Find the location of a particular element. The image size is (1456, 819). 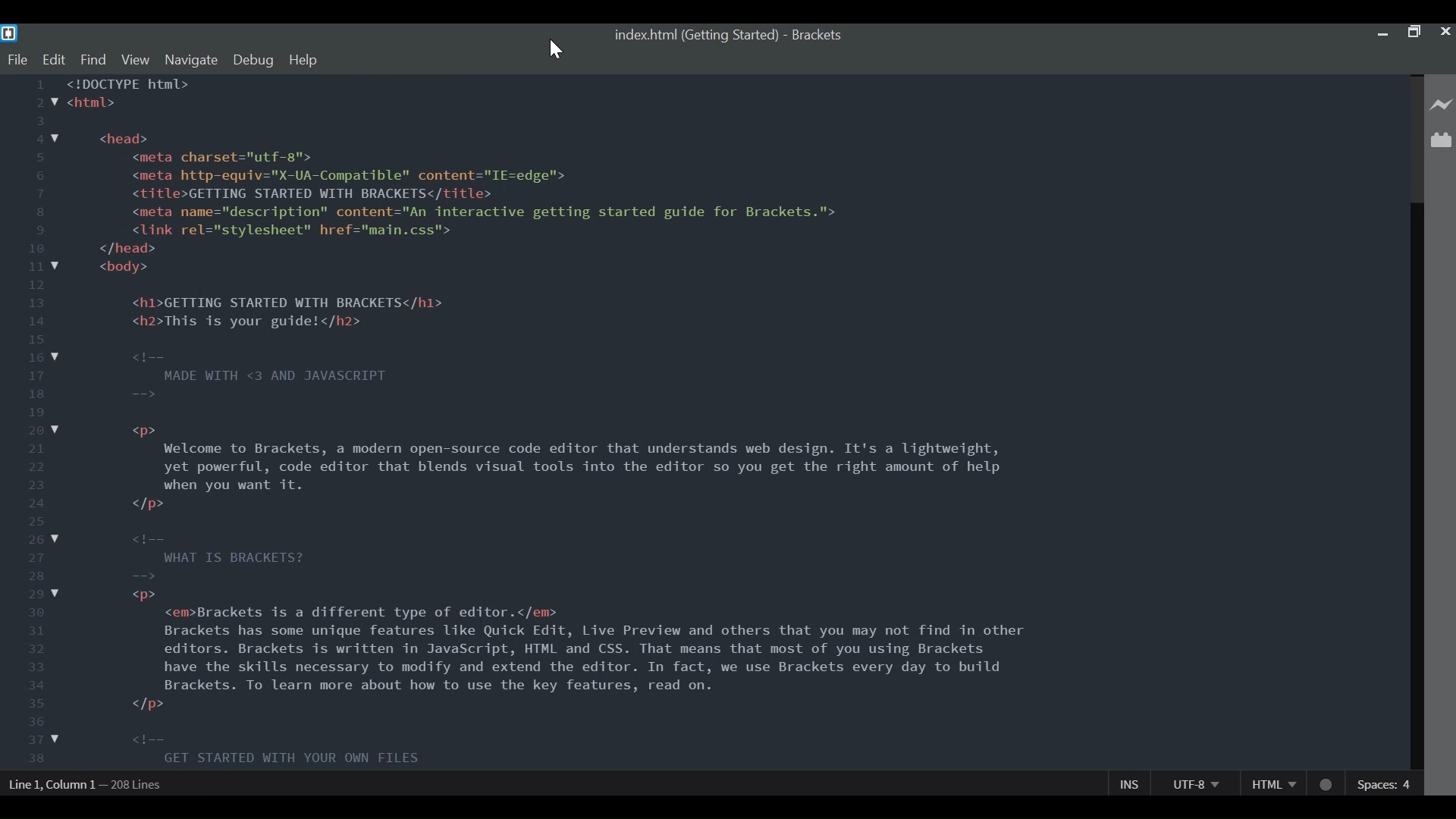

Vertical Scroll bar is located at coordinates (1416, 422).